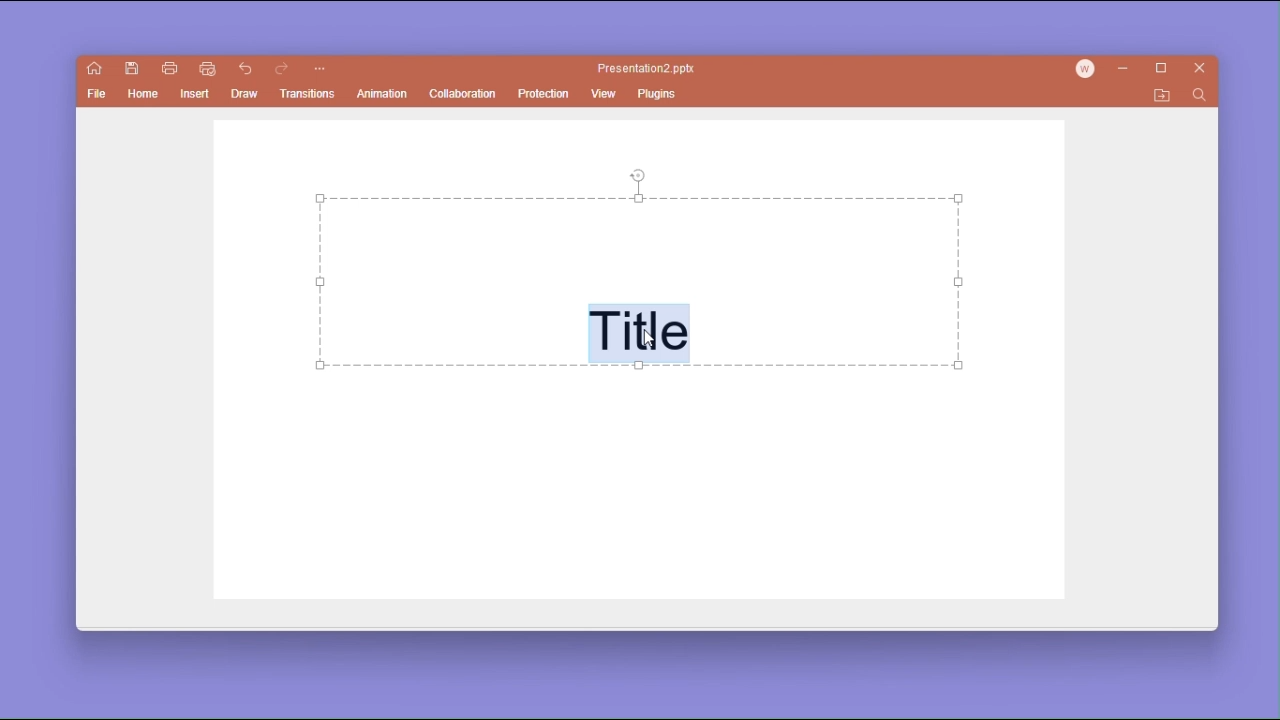 The height and width of the screenshot is (720, 1280). What do you see at coordinates (282, 70) in the screenshot?
I see `go forward` at bounding box center [282, 70].